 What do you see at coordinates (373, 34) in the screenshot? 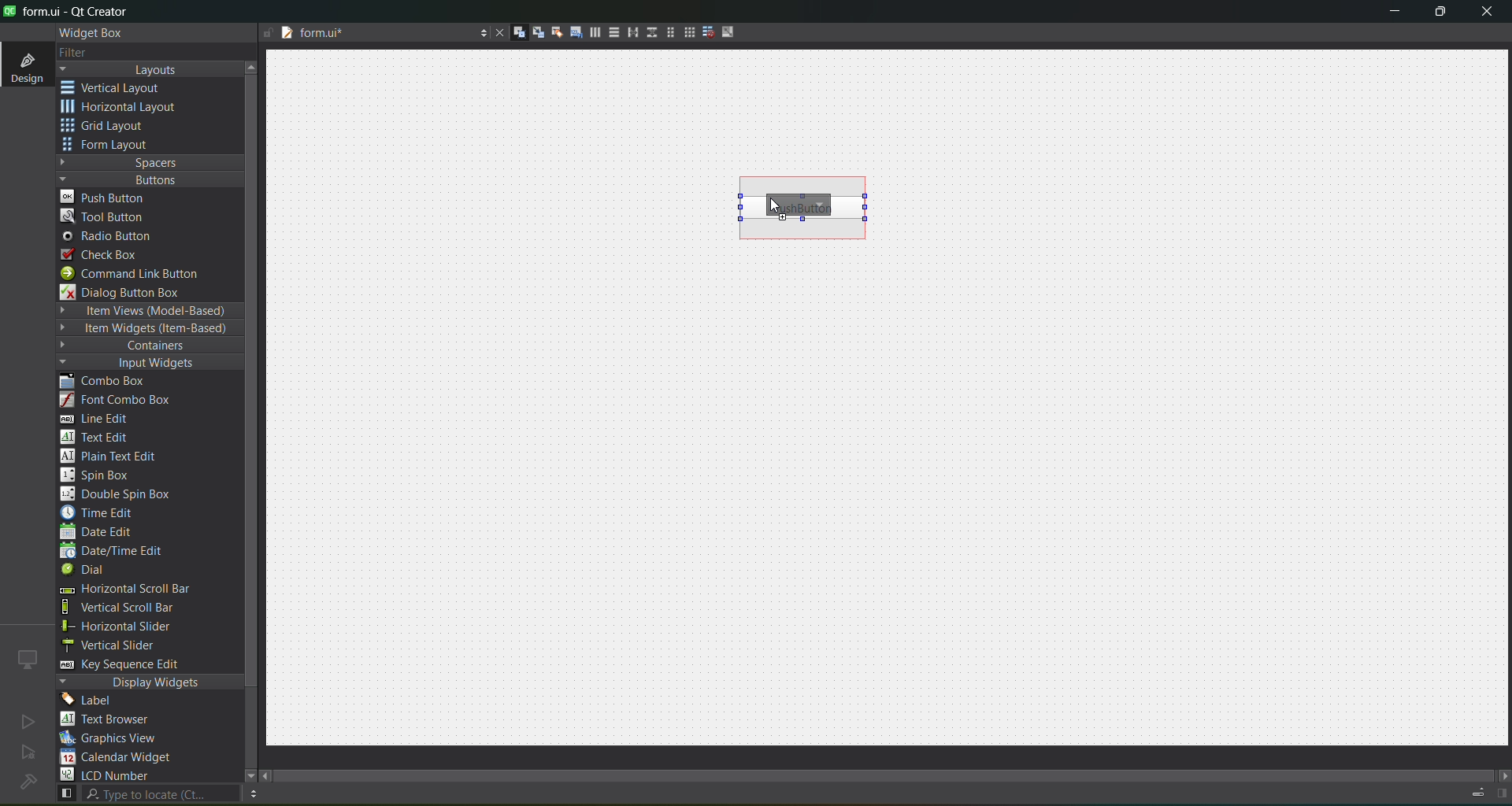
I see `tab name` at bounding box center [373, 34].